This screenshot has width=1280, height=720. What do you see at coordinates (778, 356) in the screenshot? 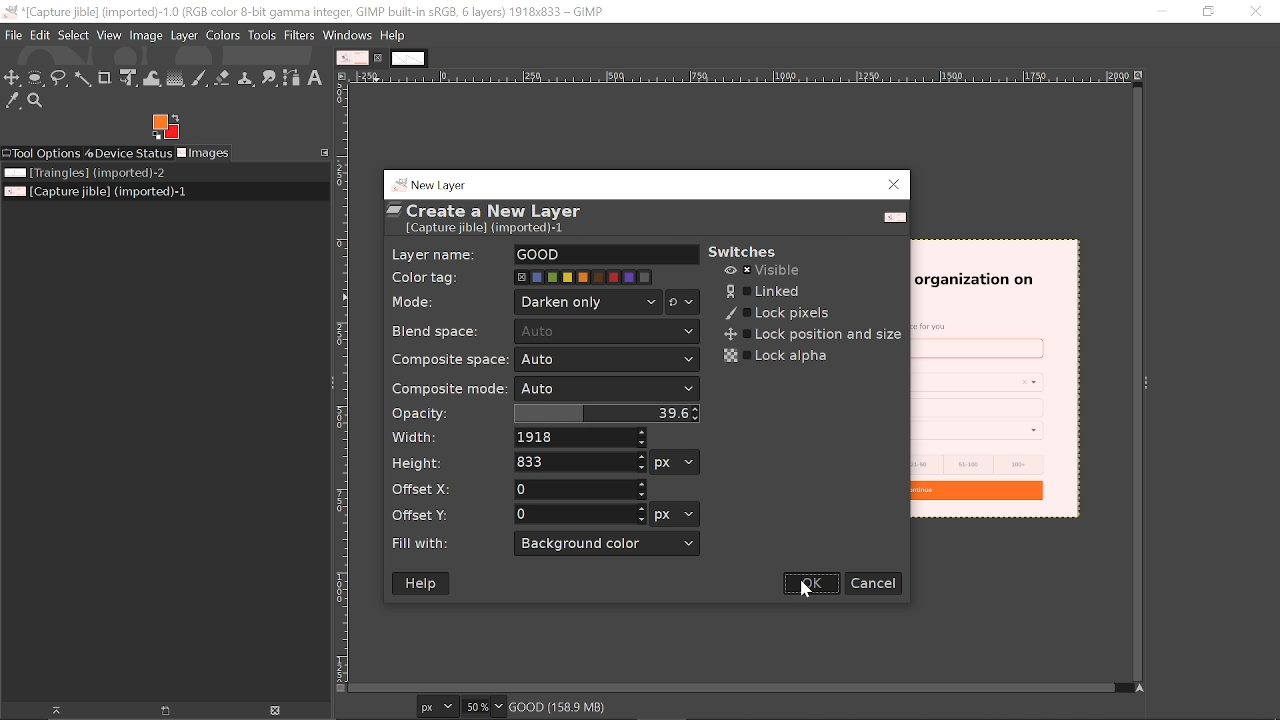
I see `Lock alpha` at bounding box center [778, 356].